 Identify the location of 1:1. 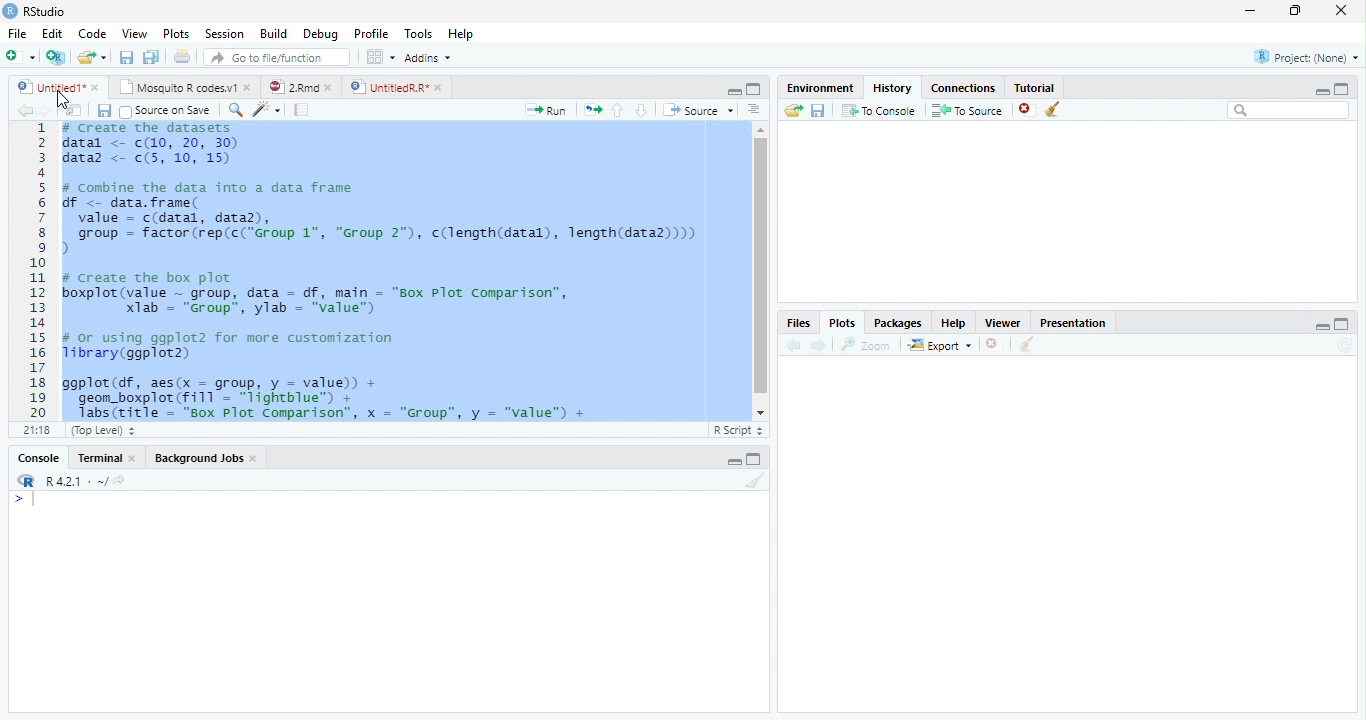
(35, 430).